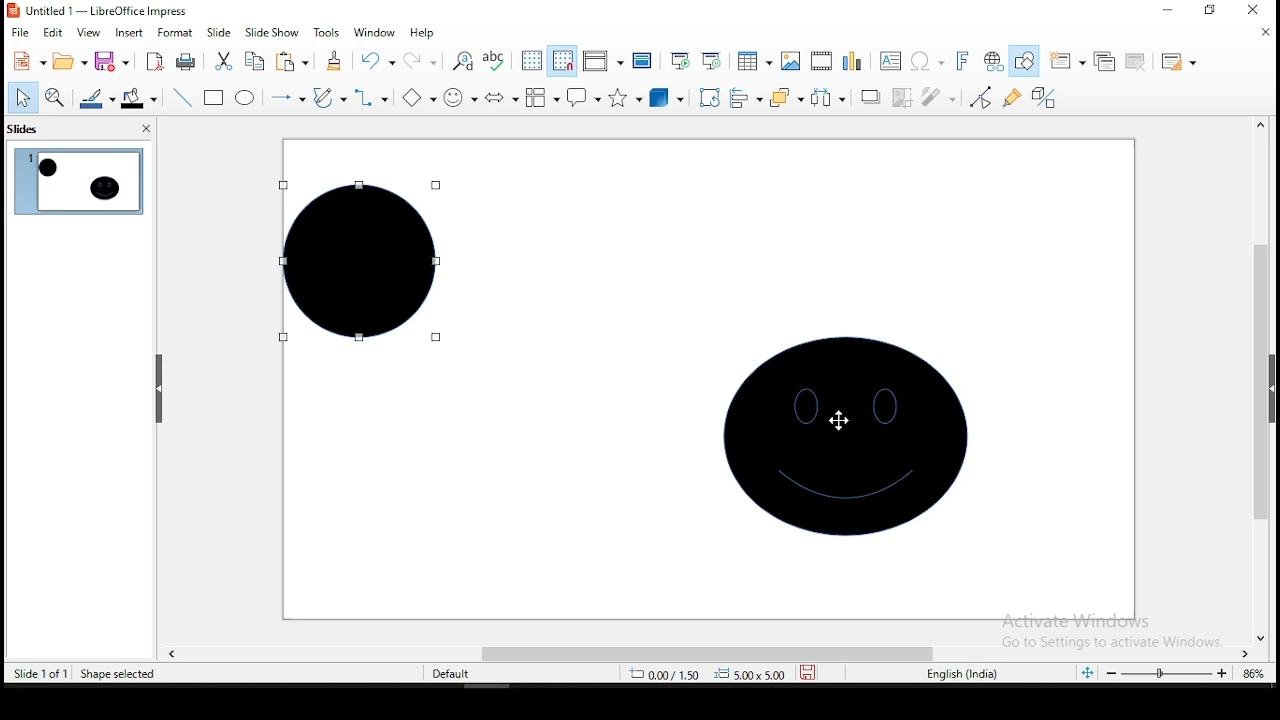 Image resolution: width=1280 pixels, height=720 pixels. Describe the element at coordinates (223, 61) in the screenshot. I see `cut` at that location.